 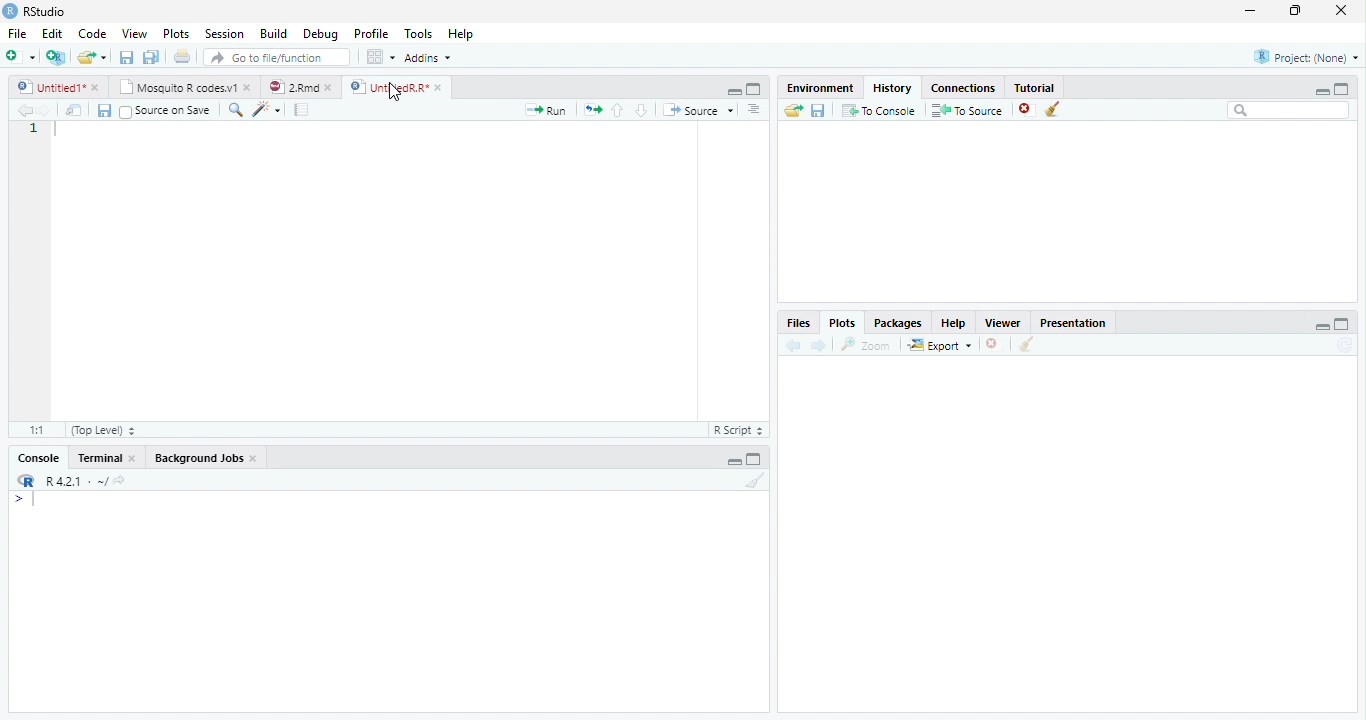 What do you see at coordinates (329, 88) in the screenshot?
I see `close` at bounding box center [329, 88].